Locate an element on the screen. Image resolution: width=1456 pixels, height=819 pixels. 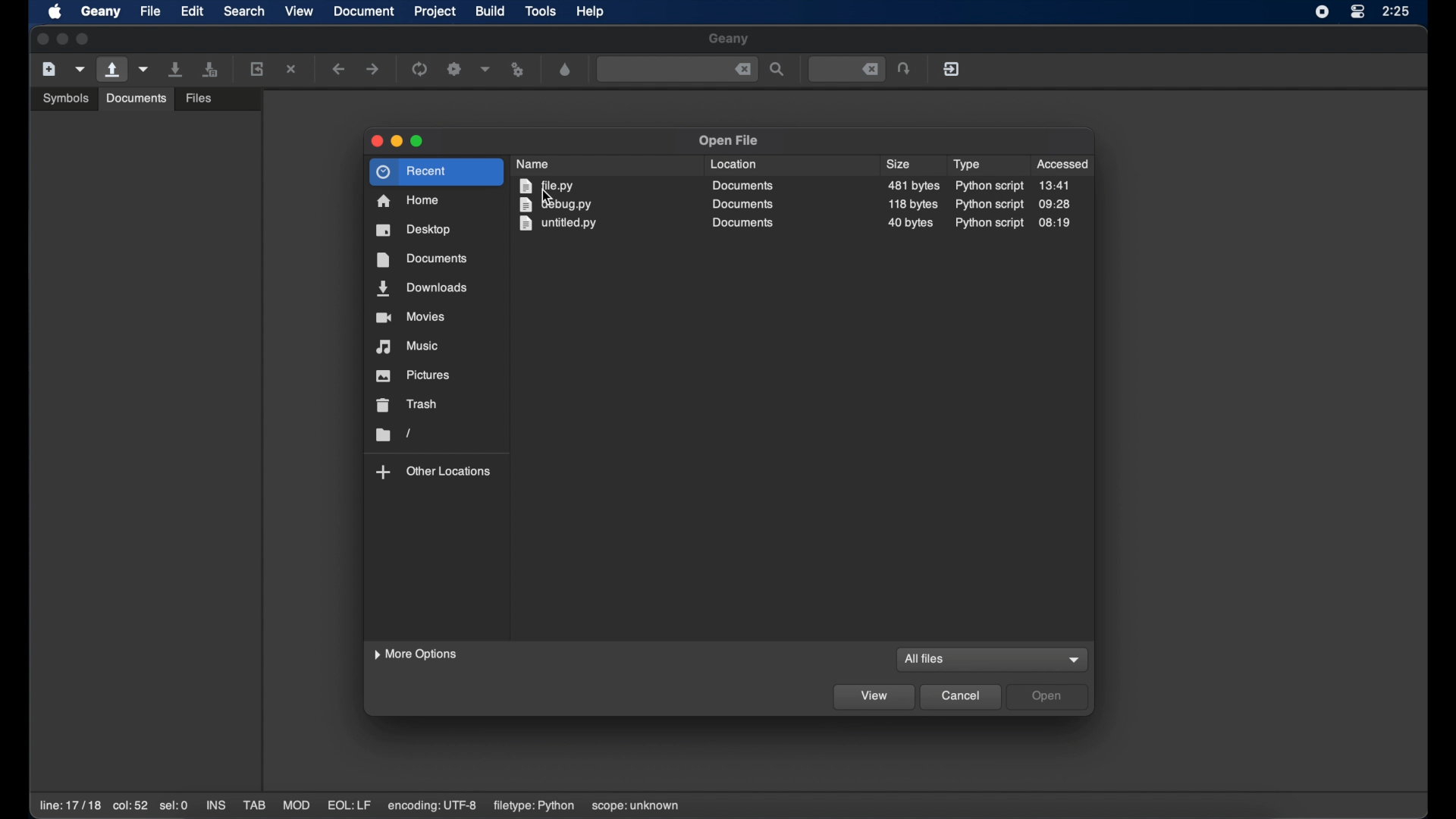
file is located at coordinates (150, 11).